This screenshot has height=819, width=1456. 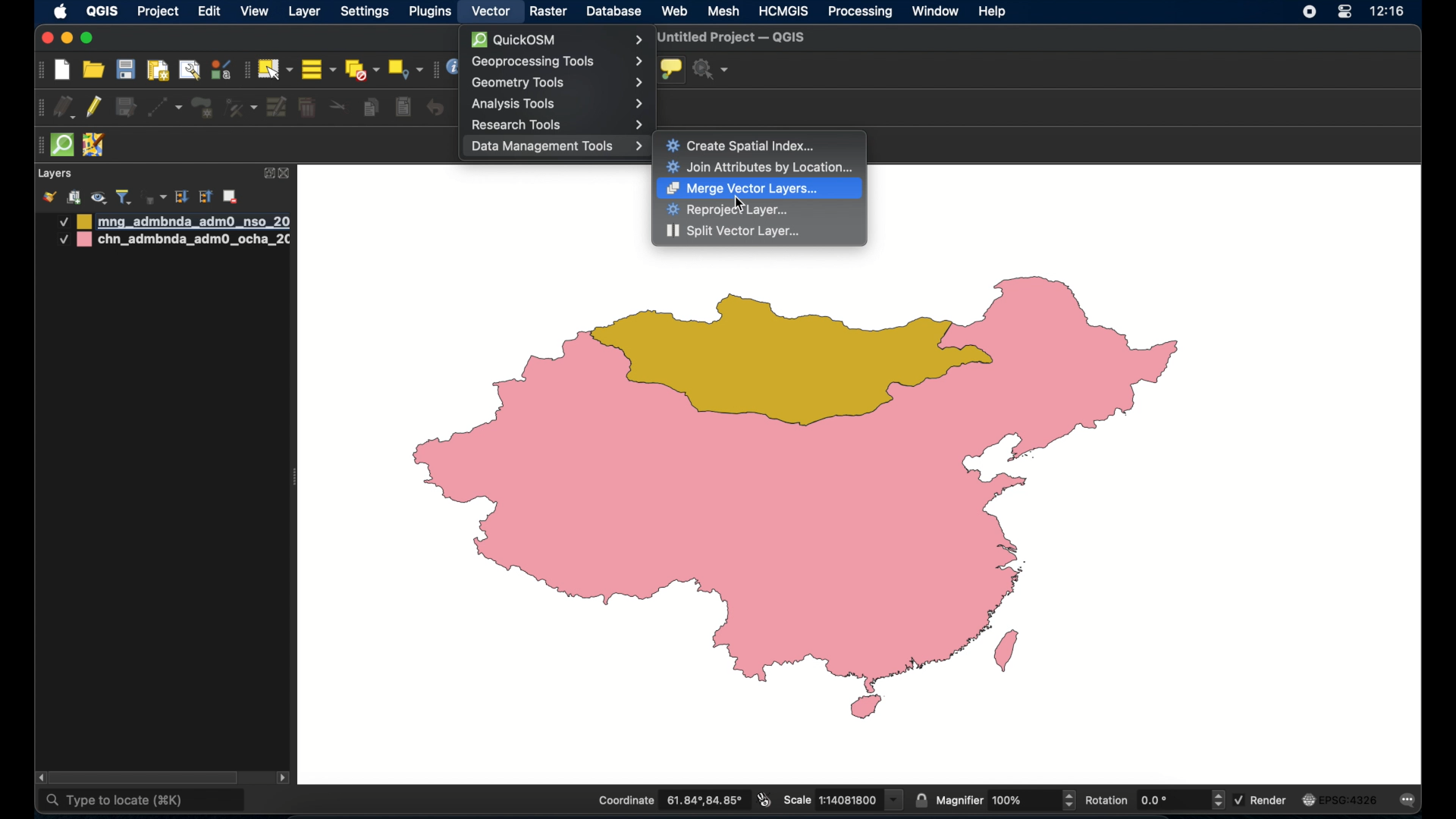 I want to click on reproject layer, so click(x=728, y=210).